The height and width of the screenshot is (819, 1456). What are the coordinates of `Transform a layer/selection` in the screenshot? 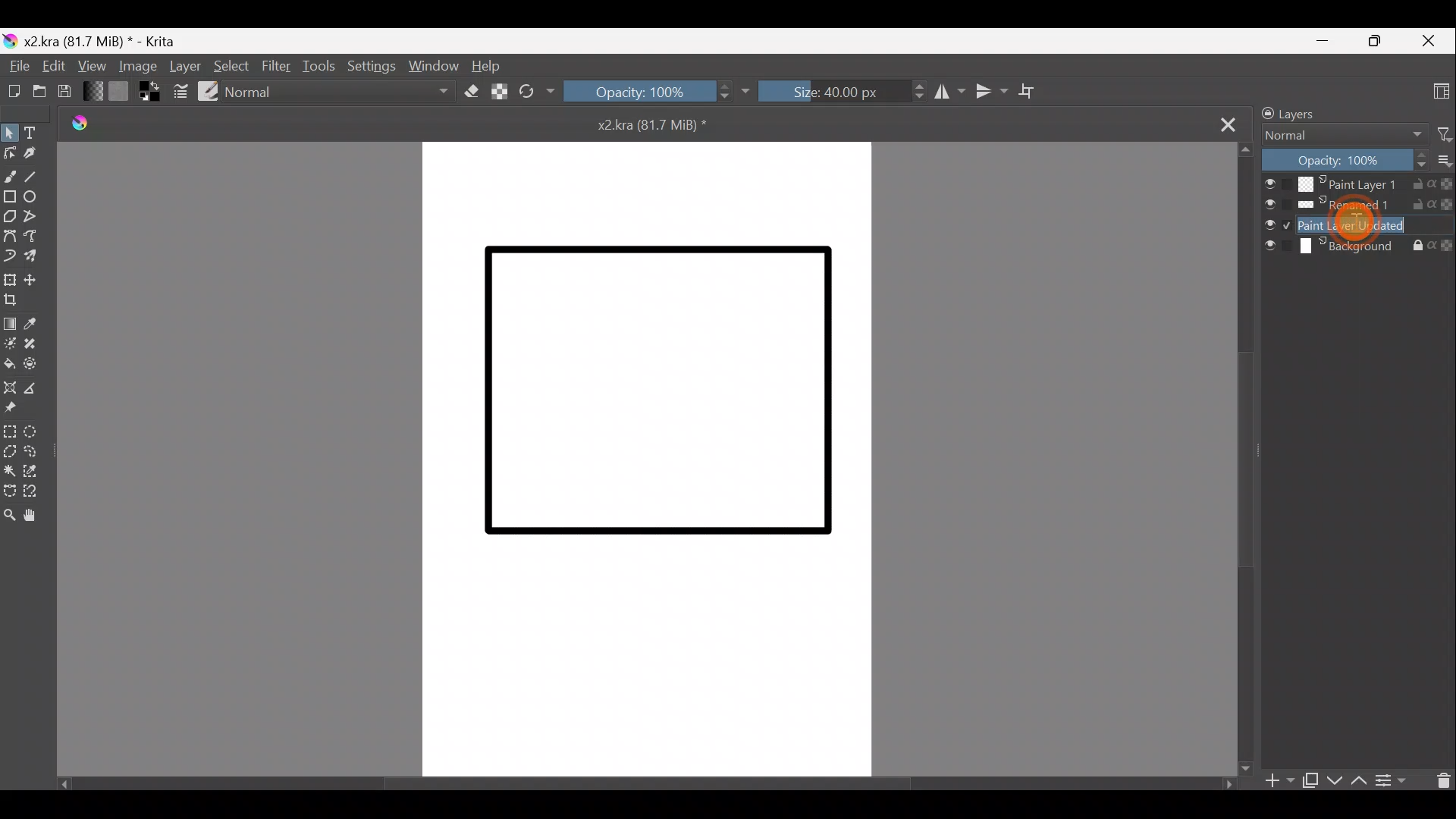 It's located at (10, 275).